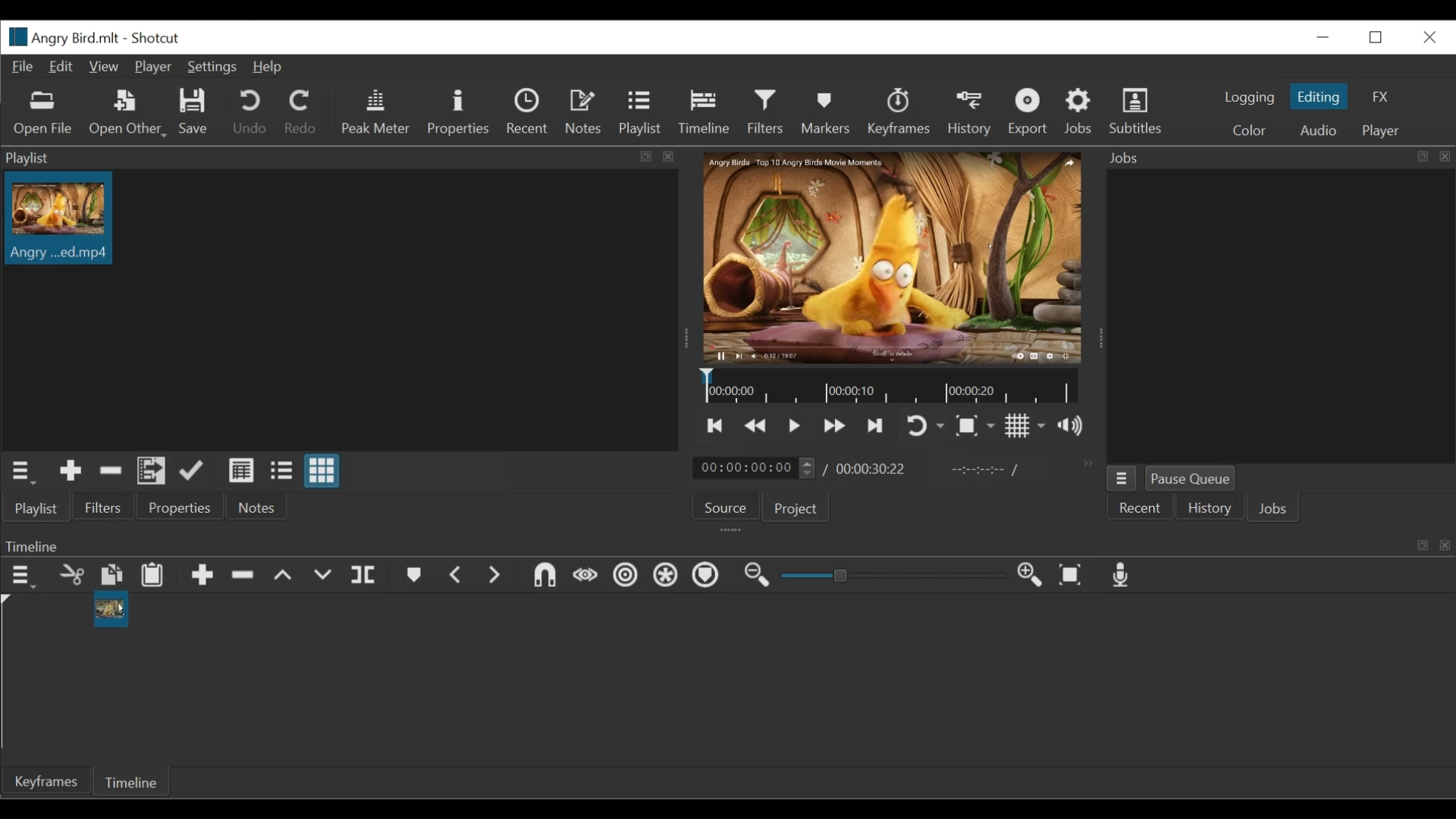  I want to click on Toggle display grid on the player, so click(1025, 425).